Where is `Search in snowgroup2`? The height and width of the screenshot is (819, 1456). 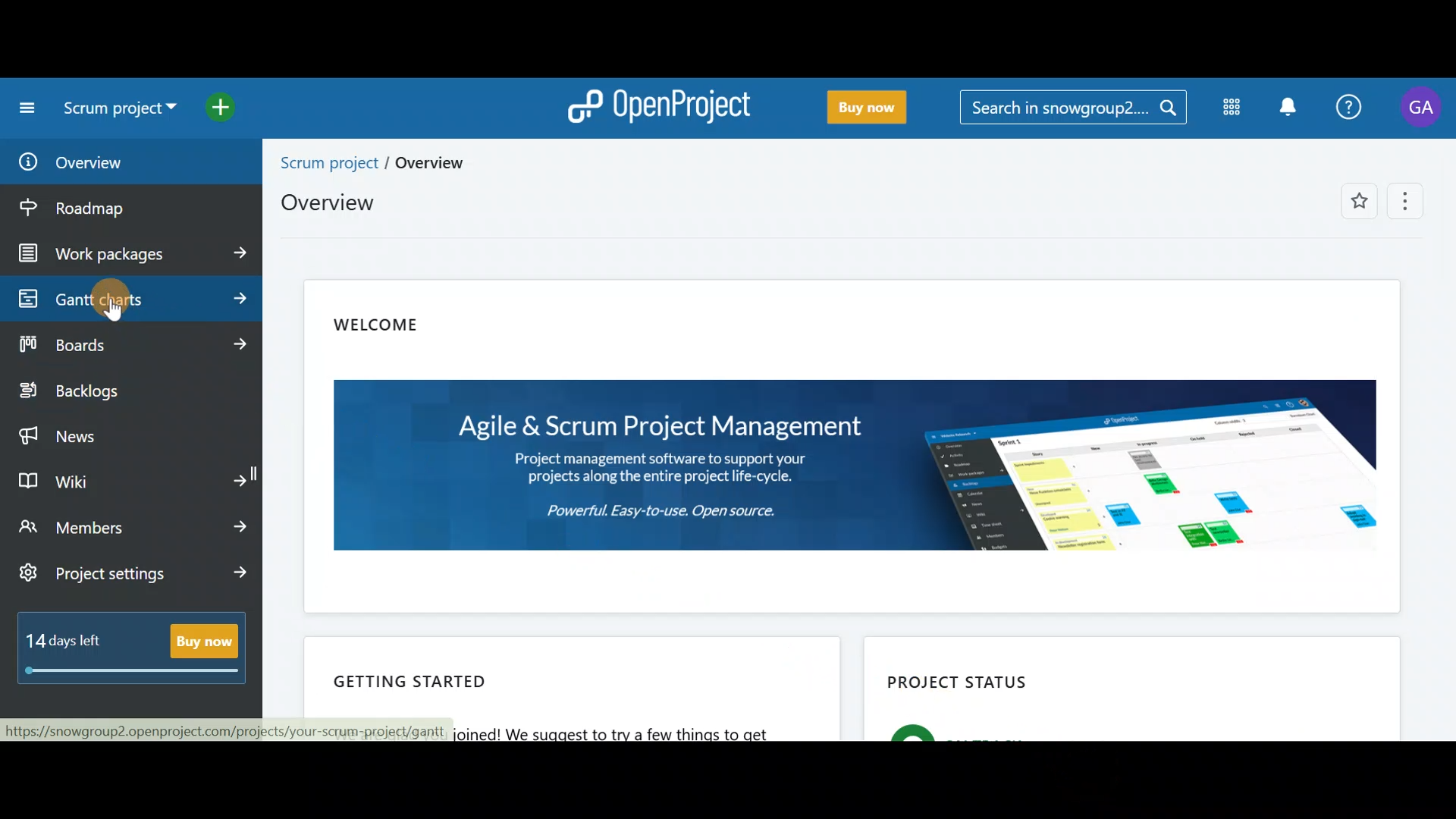
Search in snowgroup2 is located at coordinates (1074, 110).